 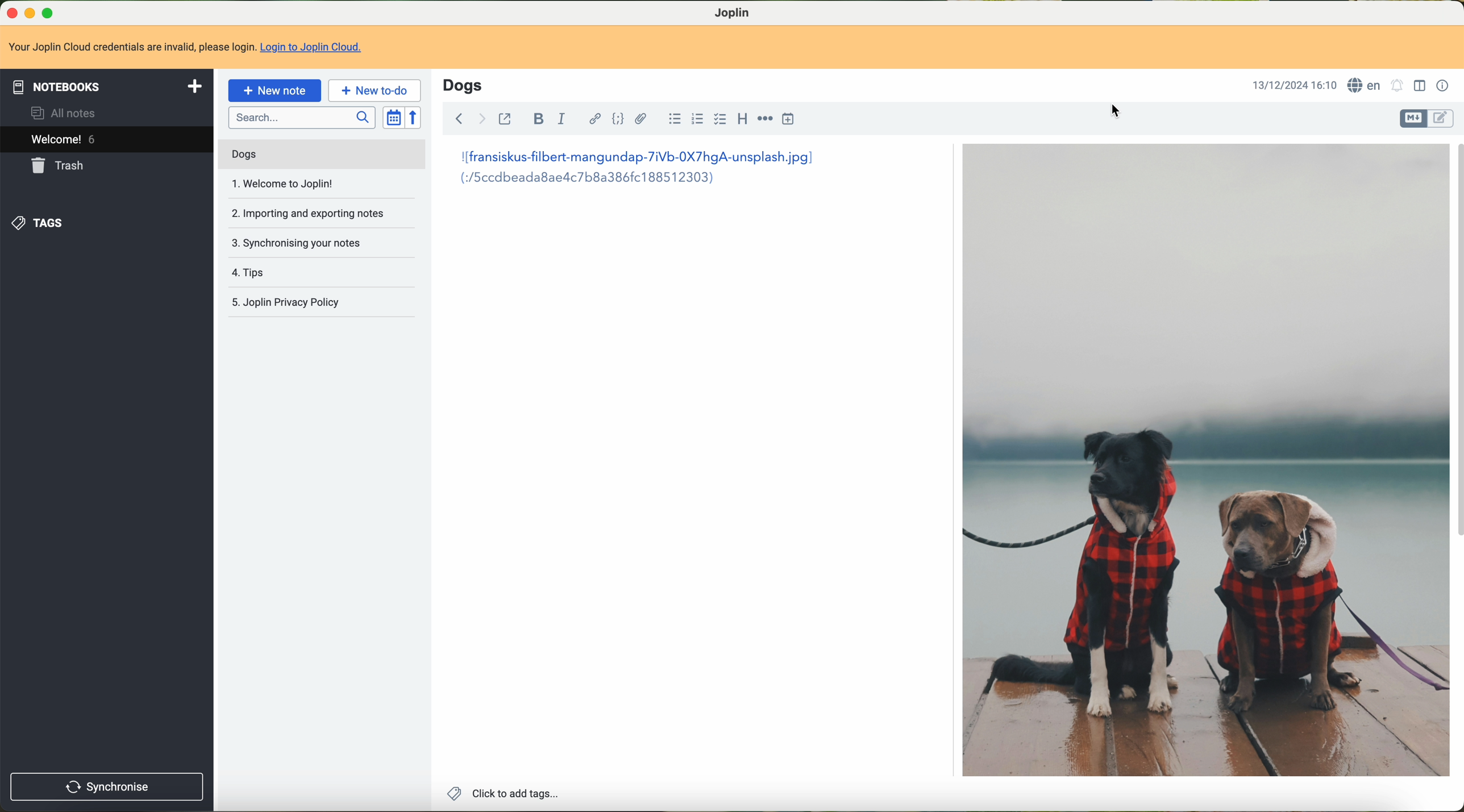 I want to click on numbered list, so click(x=698, y=120).